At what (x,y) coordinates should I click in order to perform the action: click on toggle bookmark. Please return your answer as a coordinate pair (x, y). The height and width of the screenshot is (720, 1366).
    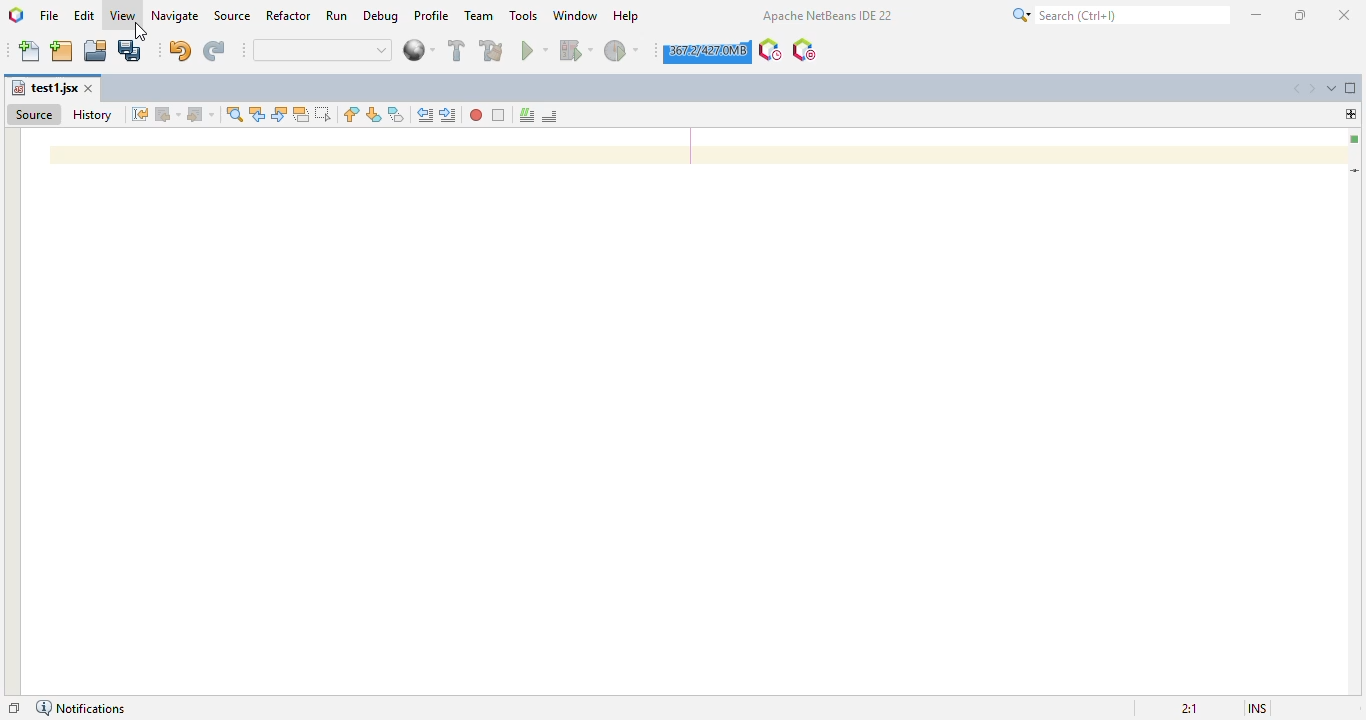
    Looking at the image, I should click on (397, 114).